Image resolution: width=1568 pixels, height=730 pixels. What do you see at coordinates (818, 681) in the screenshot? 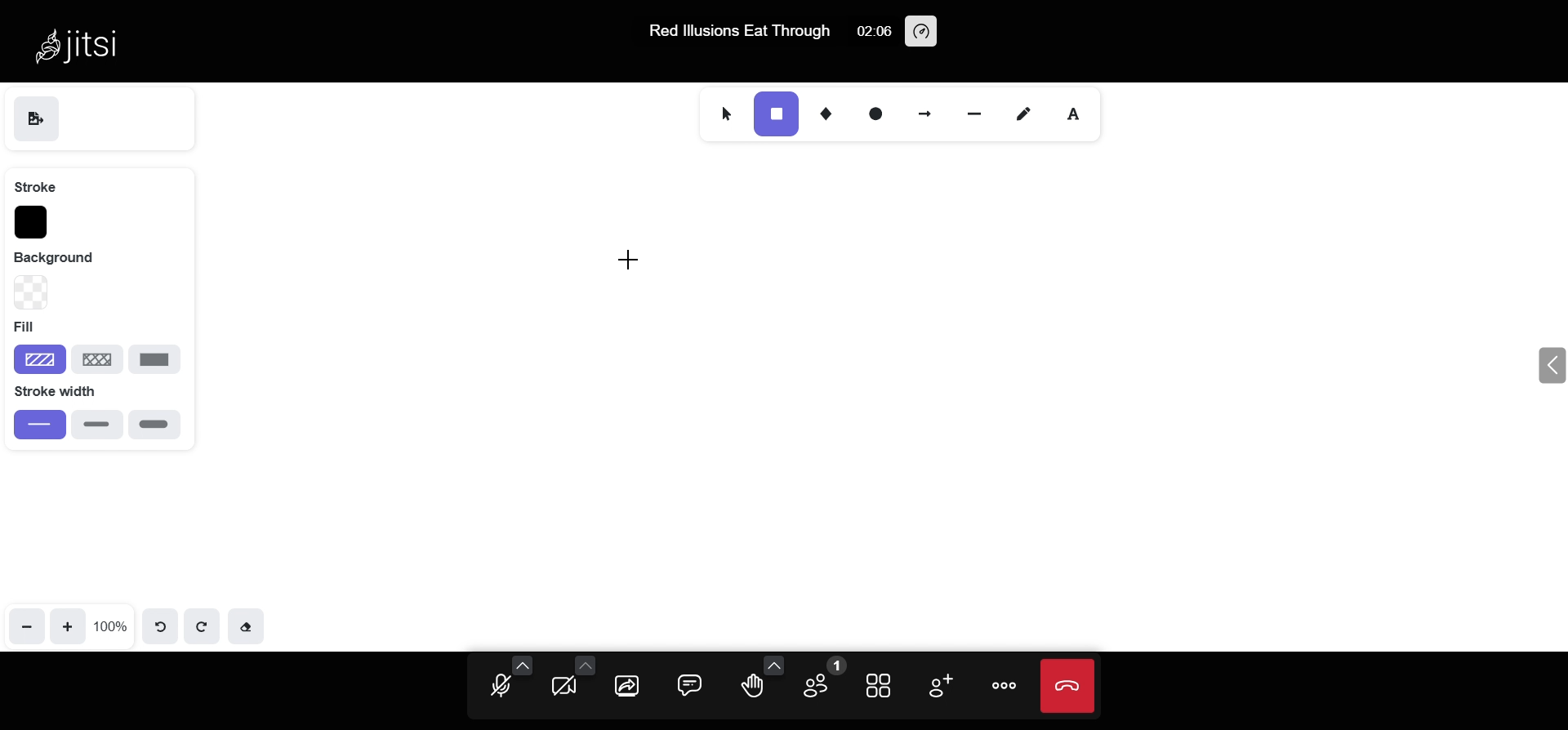
I see `participants` at bounding box center [818, 681].